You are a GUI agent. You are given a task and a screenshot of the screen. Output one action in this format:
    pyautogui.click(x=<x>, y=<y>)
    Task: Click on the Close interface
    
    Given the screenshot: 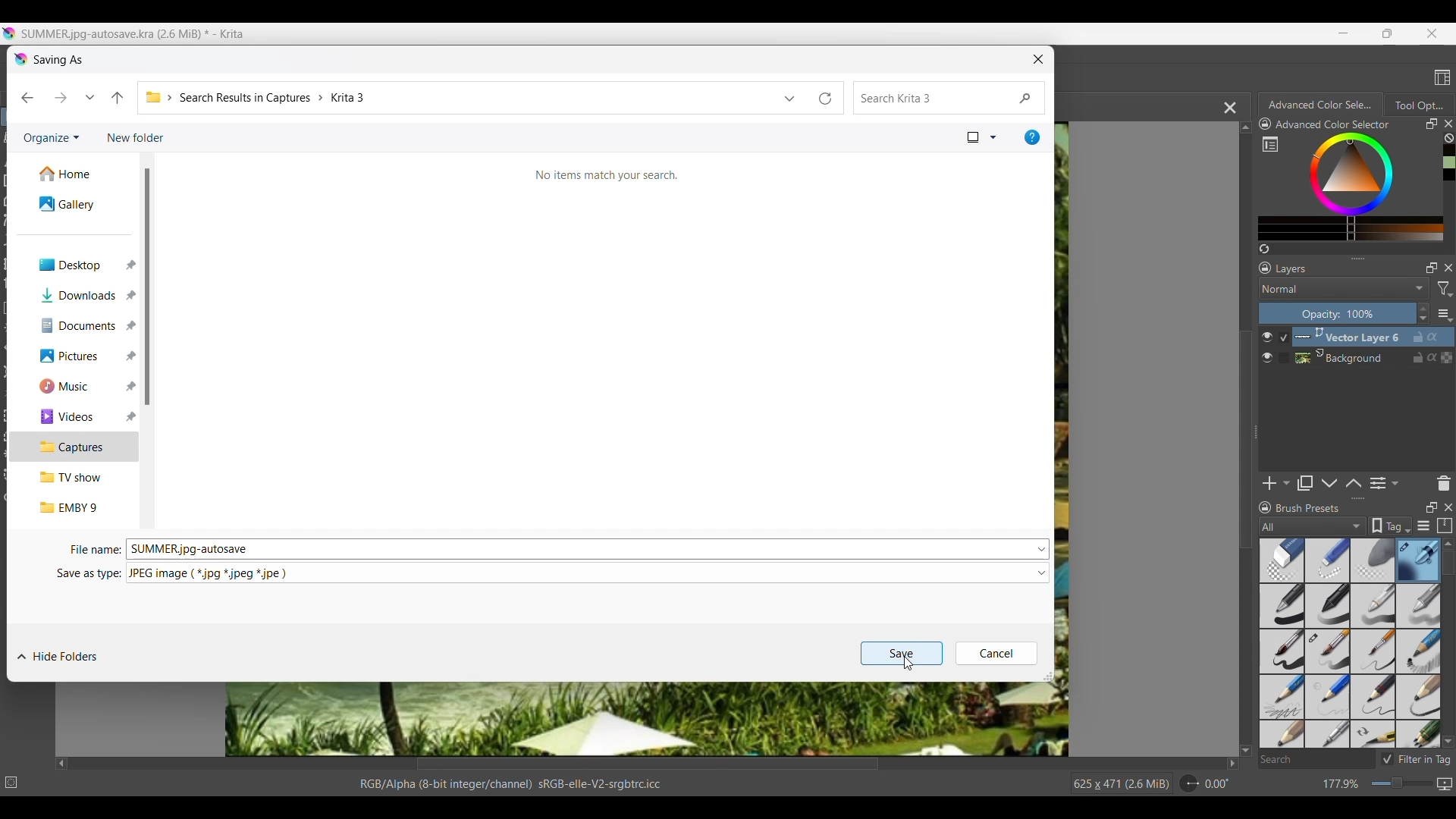 What is the action you would take?
    pyautogui.click(x=1432, y=33)
    